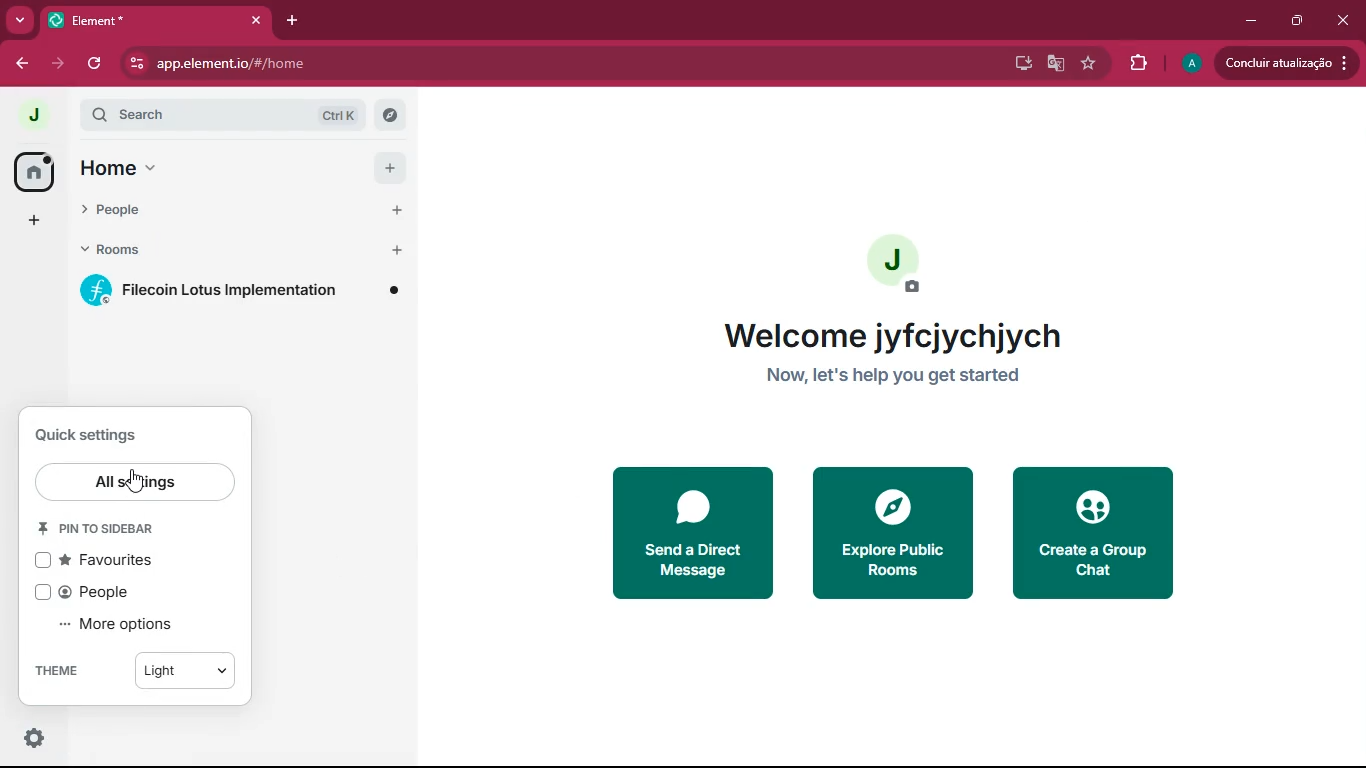 The height and width of the screenshot is (768, 1366). Describe the element at coordinates (1291, 64) in the screenshot. I see `update` at that location.